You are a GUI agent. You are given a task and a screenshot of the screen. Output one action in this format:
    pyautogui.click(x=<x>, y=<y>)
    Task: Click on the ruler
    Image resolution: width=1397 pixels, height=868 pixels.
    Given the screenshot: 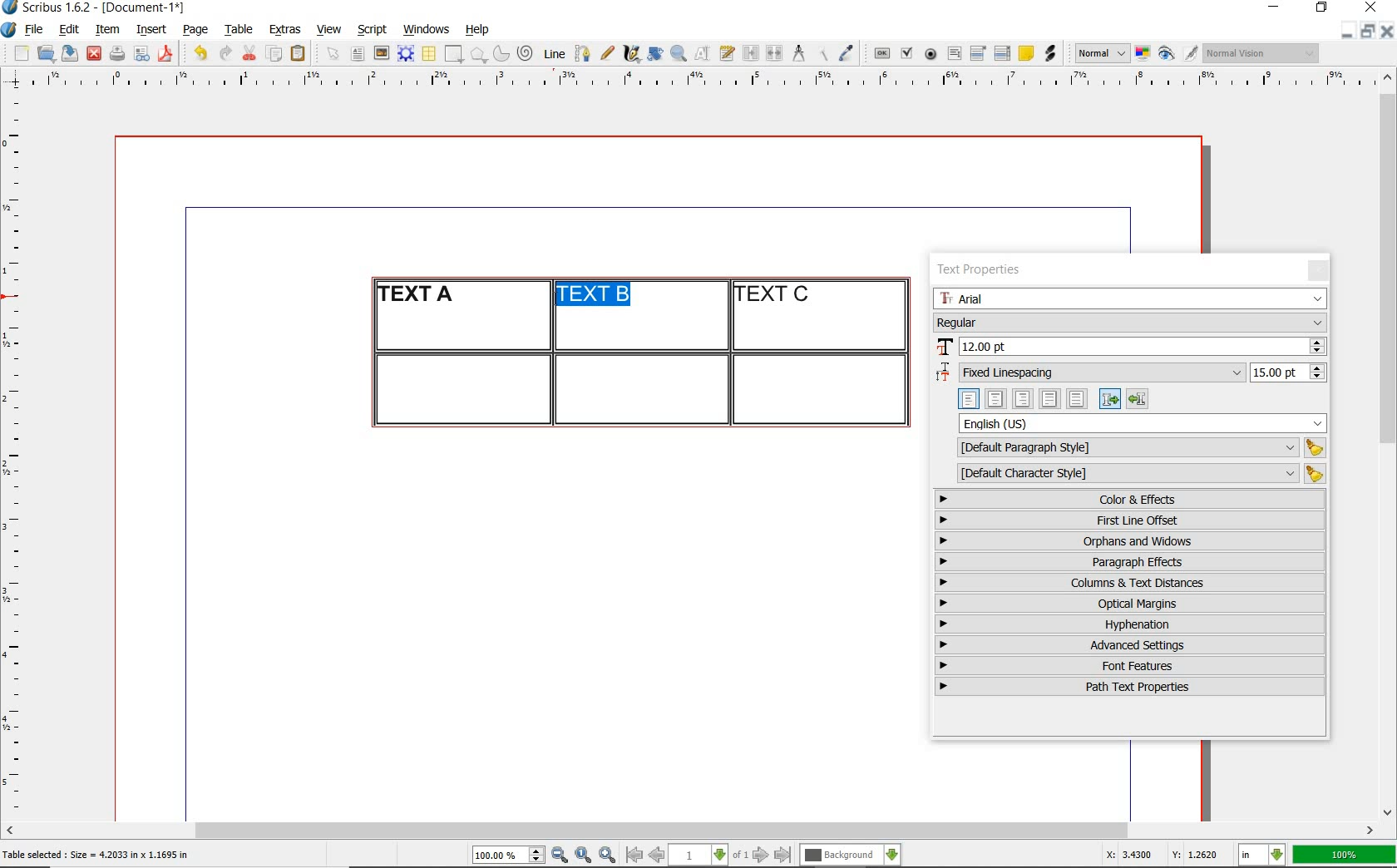 What is the action you would take?
    pyautogui.click(x=18, y=454)
    